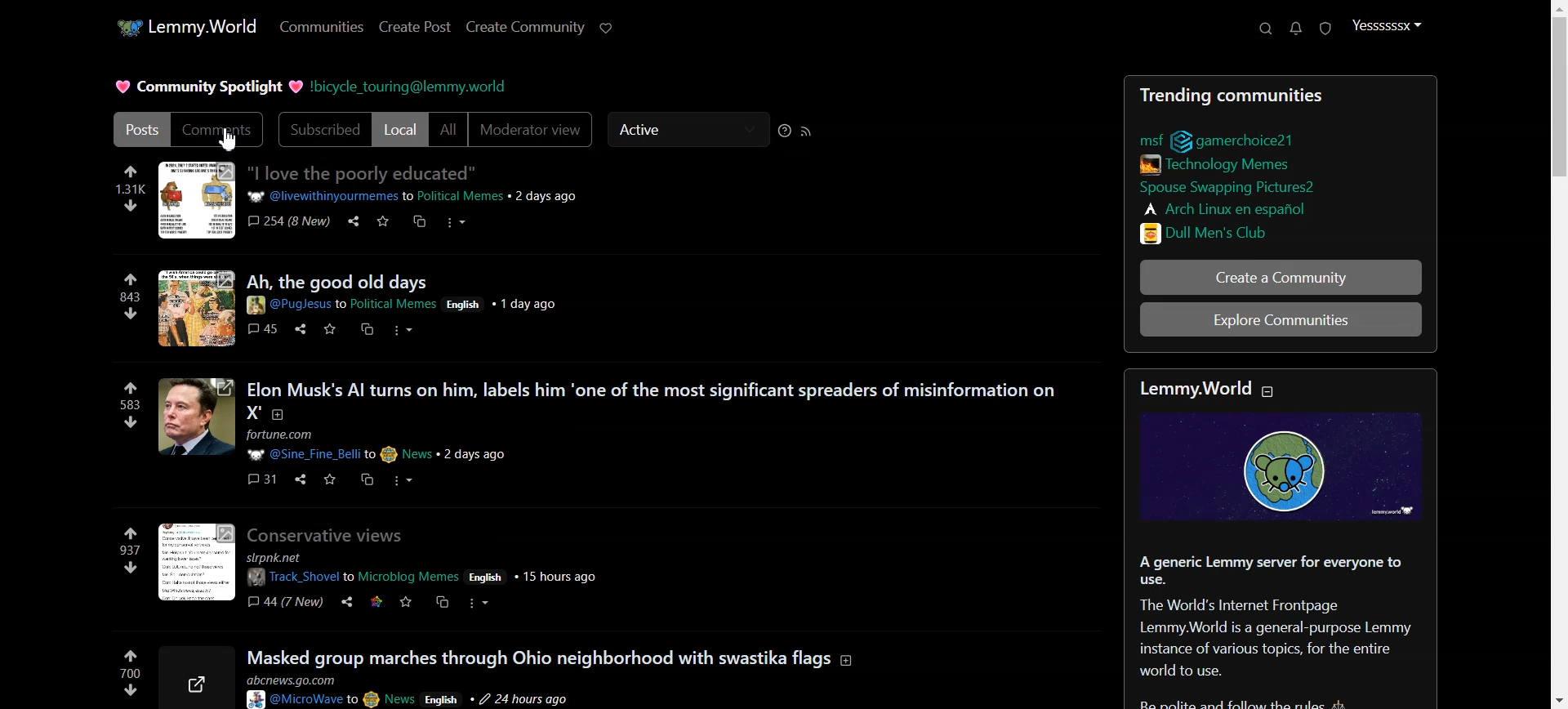 The height and width of the screenshot is (709, 1568). Describe the element at coordinates (1145, 139) in the screenshot. I see `link` at that location.